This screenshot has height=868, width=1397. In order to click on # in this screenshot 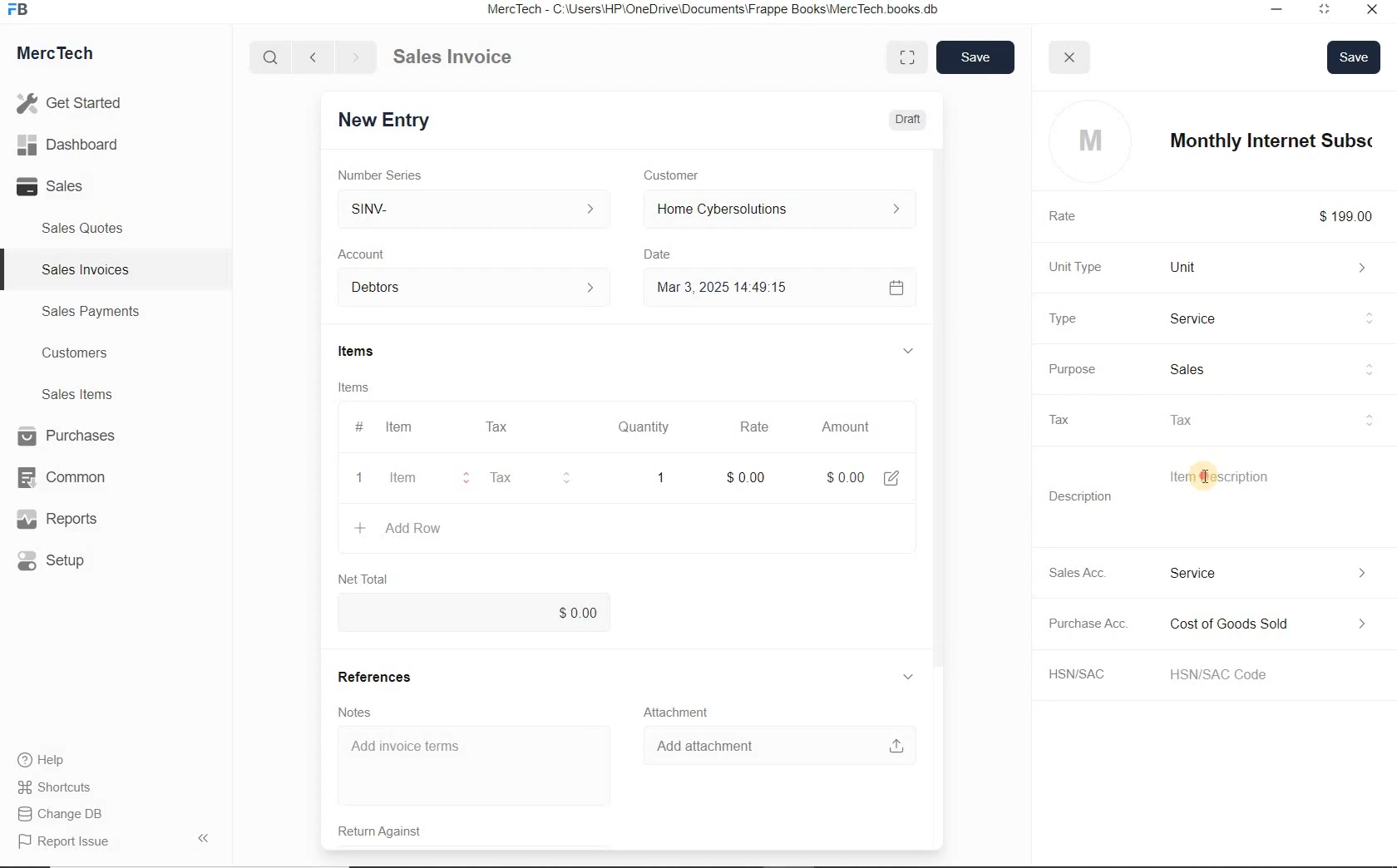, I will do `click(540, 427)`.